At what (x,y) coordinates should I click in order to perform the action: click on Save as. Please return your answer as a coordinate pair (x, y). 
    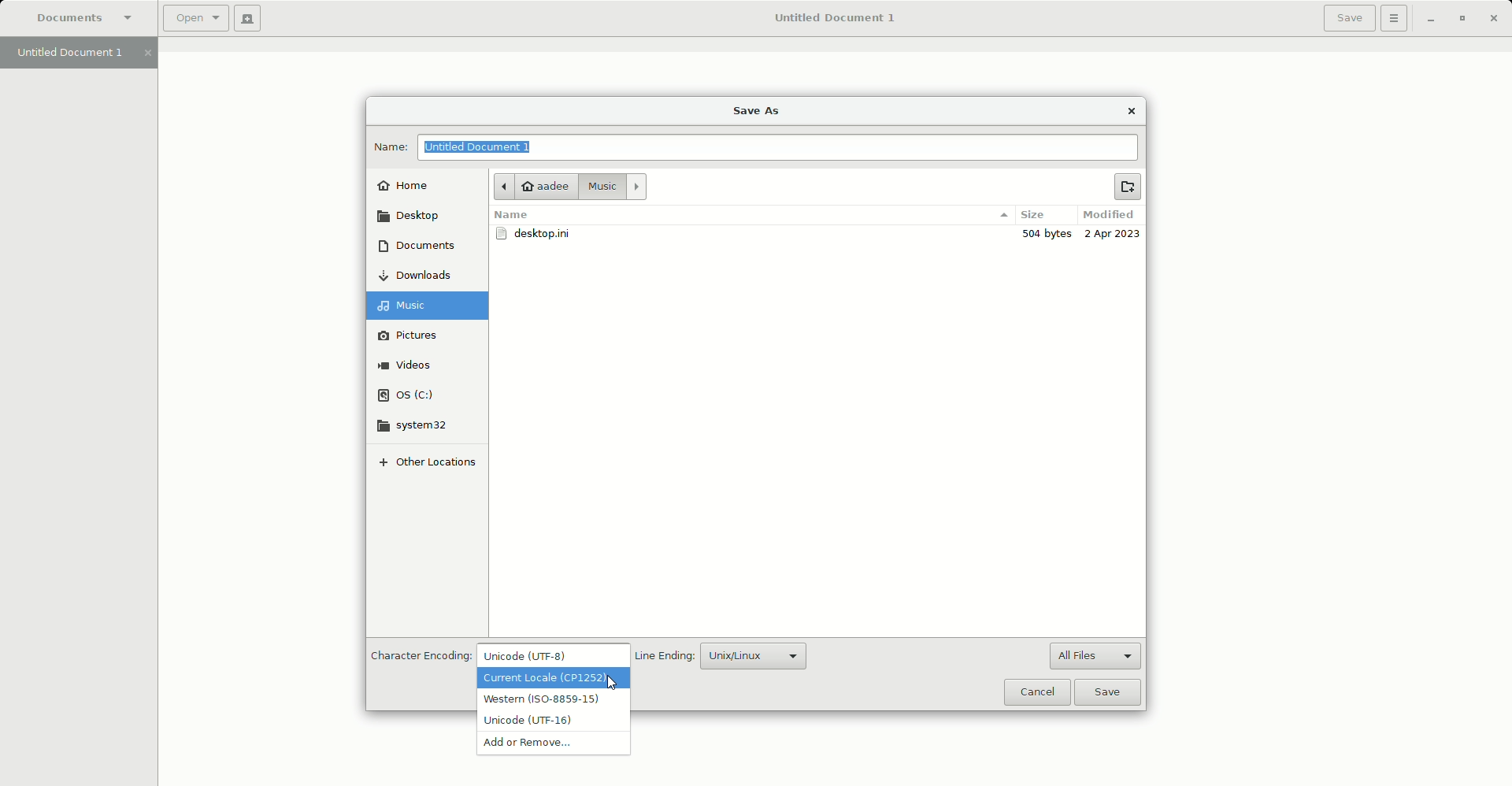
    Looking at the image, I should click on (762, 109).